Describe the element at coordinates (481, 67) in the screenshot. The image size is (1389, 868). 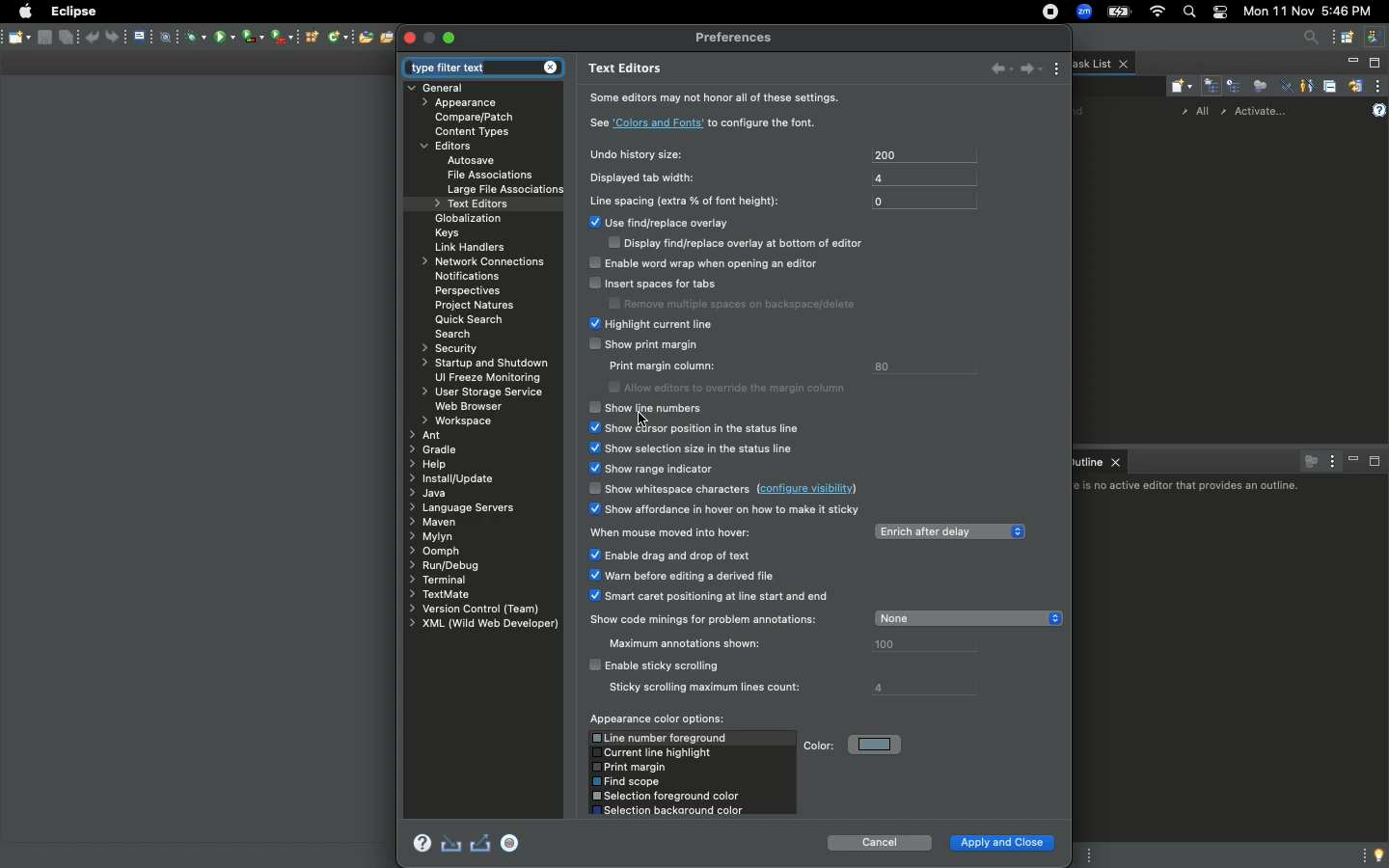
I see `Type filter text` at that location.